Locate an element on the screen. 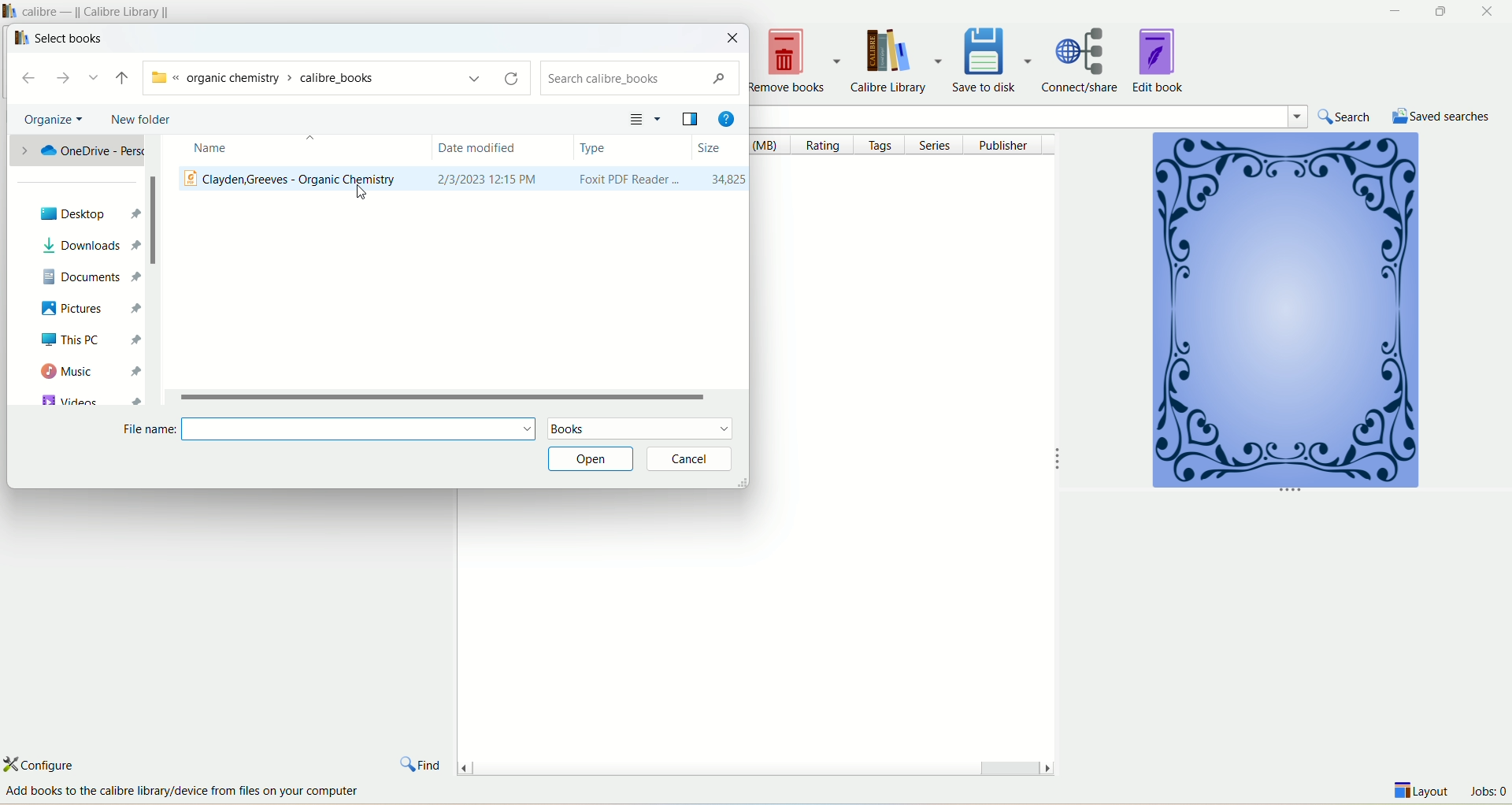 Image resolution: width=1512 pixels, height=805 pixels. search is located at coordinates (1347, 117).